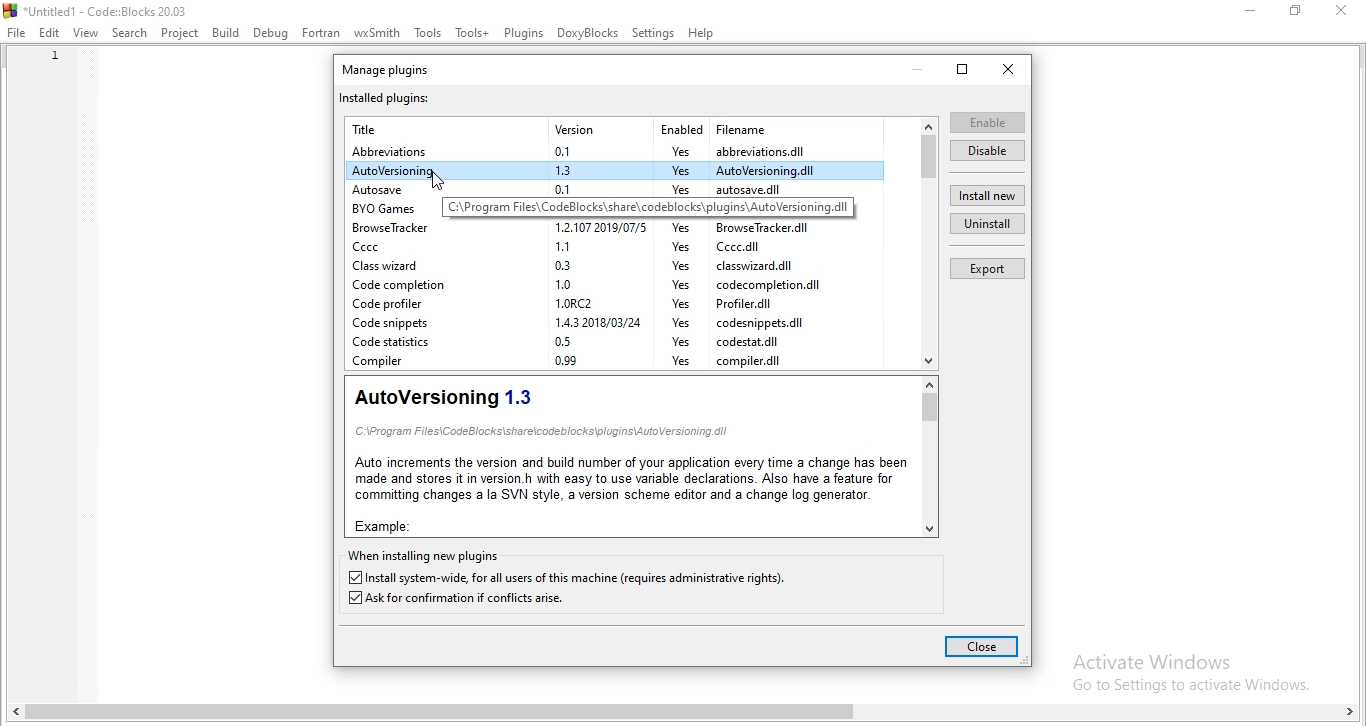  I want to click on Abbreviations 0.1 Yes abbreviations.dll, so click(604, 152).